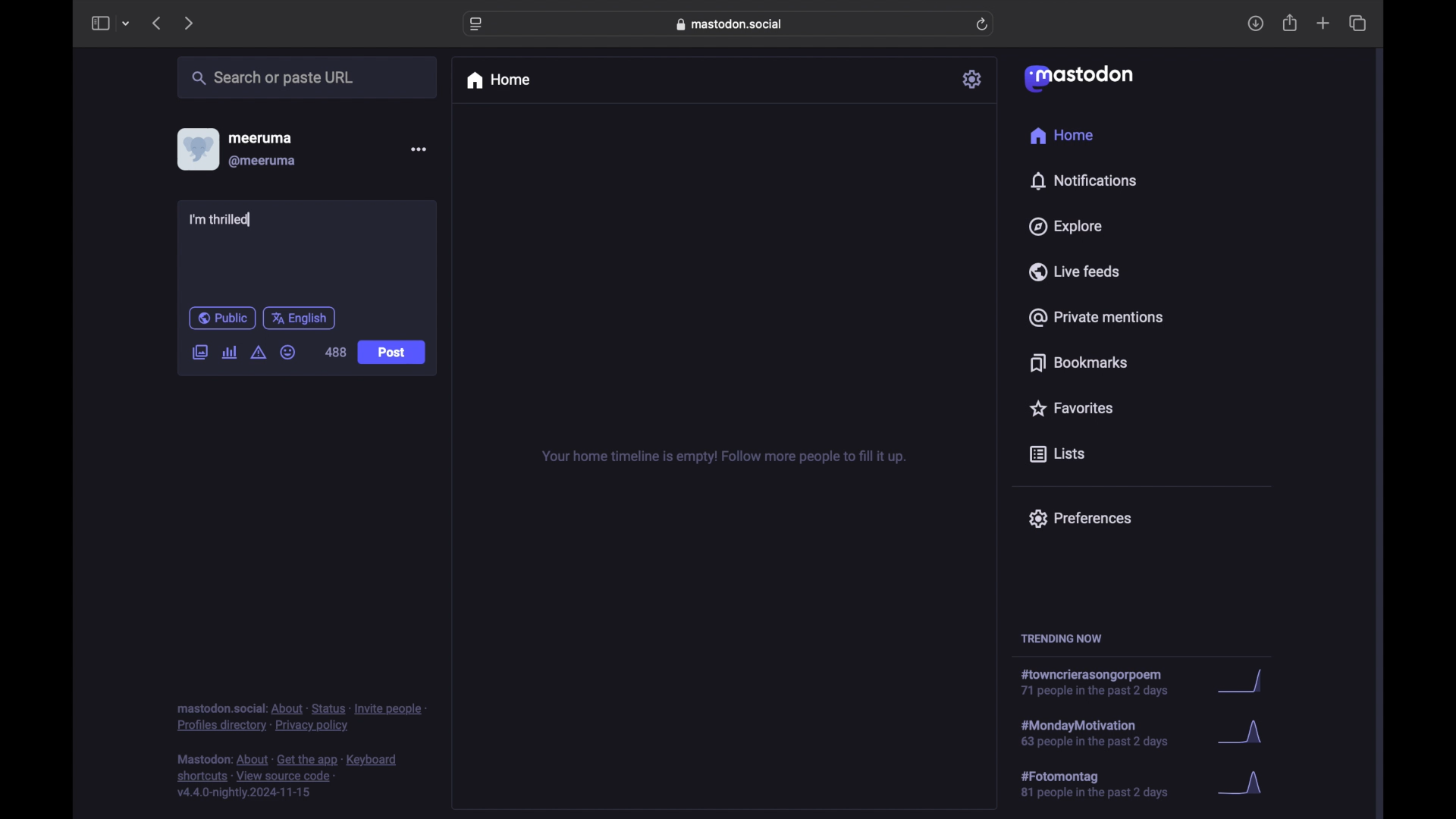 Image resolution: width=1456 pixels, height=819 pixels. I want to click on footnote, so click(301, 718).